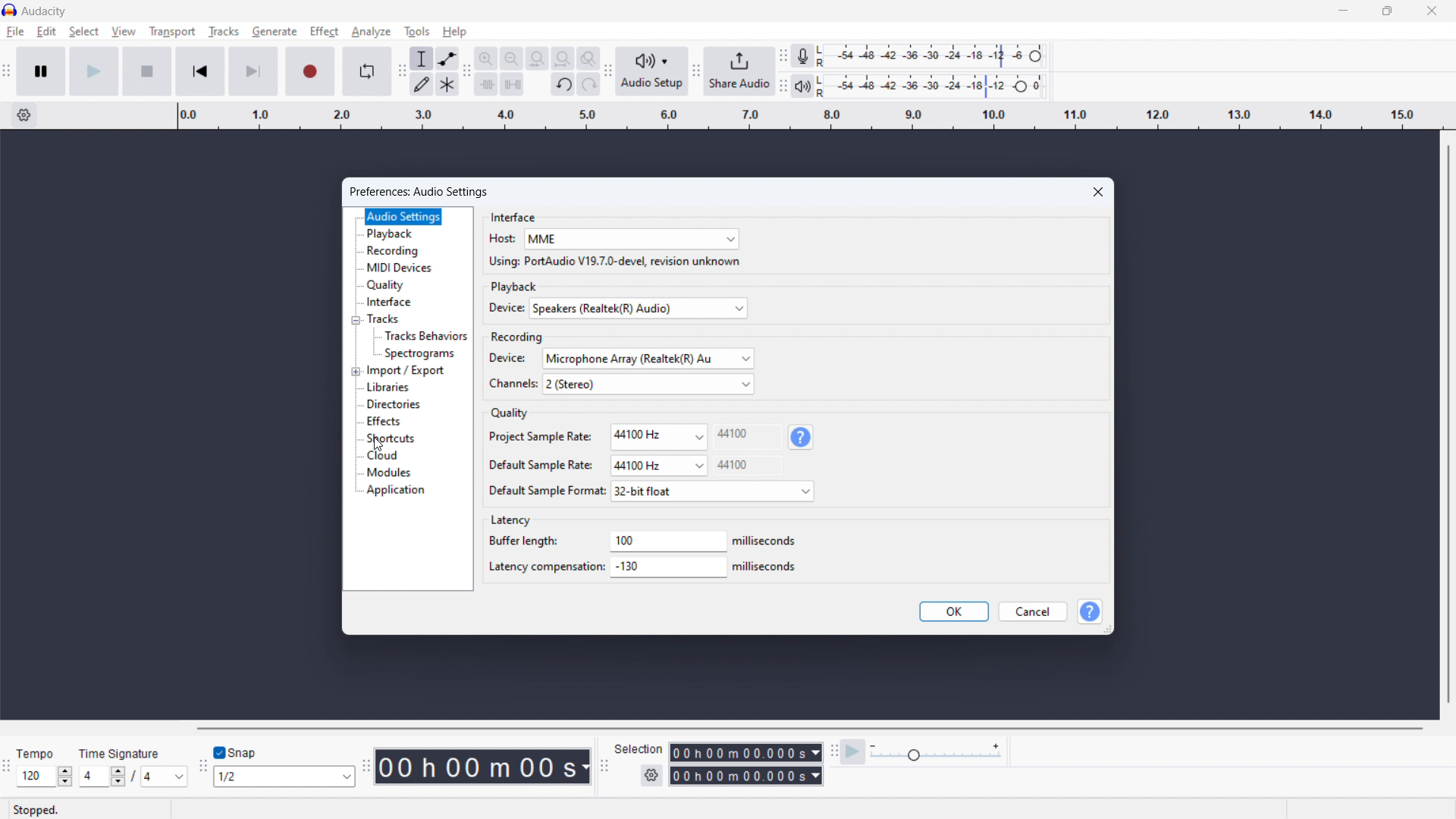 This screenshot has width=1456, height=819. I want to click on help, so click(1090, 611).